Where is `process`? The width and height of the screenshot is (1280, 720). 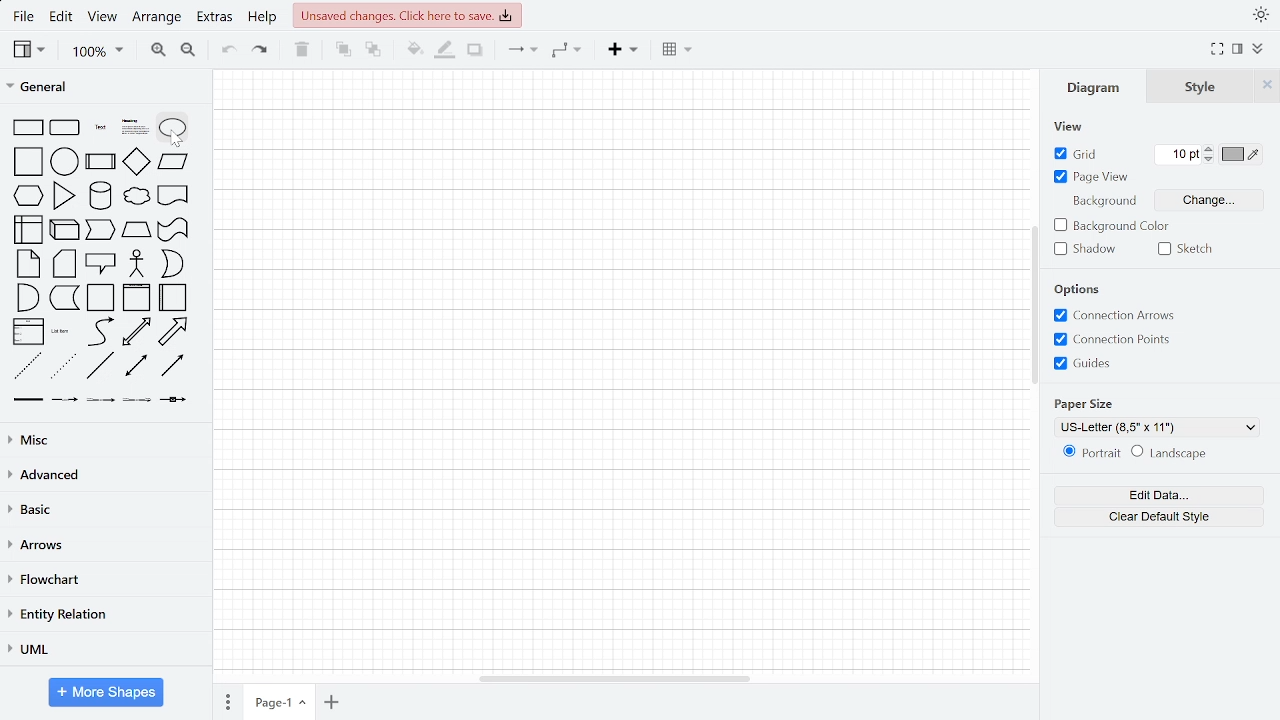
process is located at coordinates (100, 161).